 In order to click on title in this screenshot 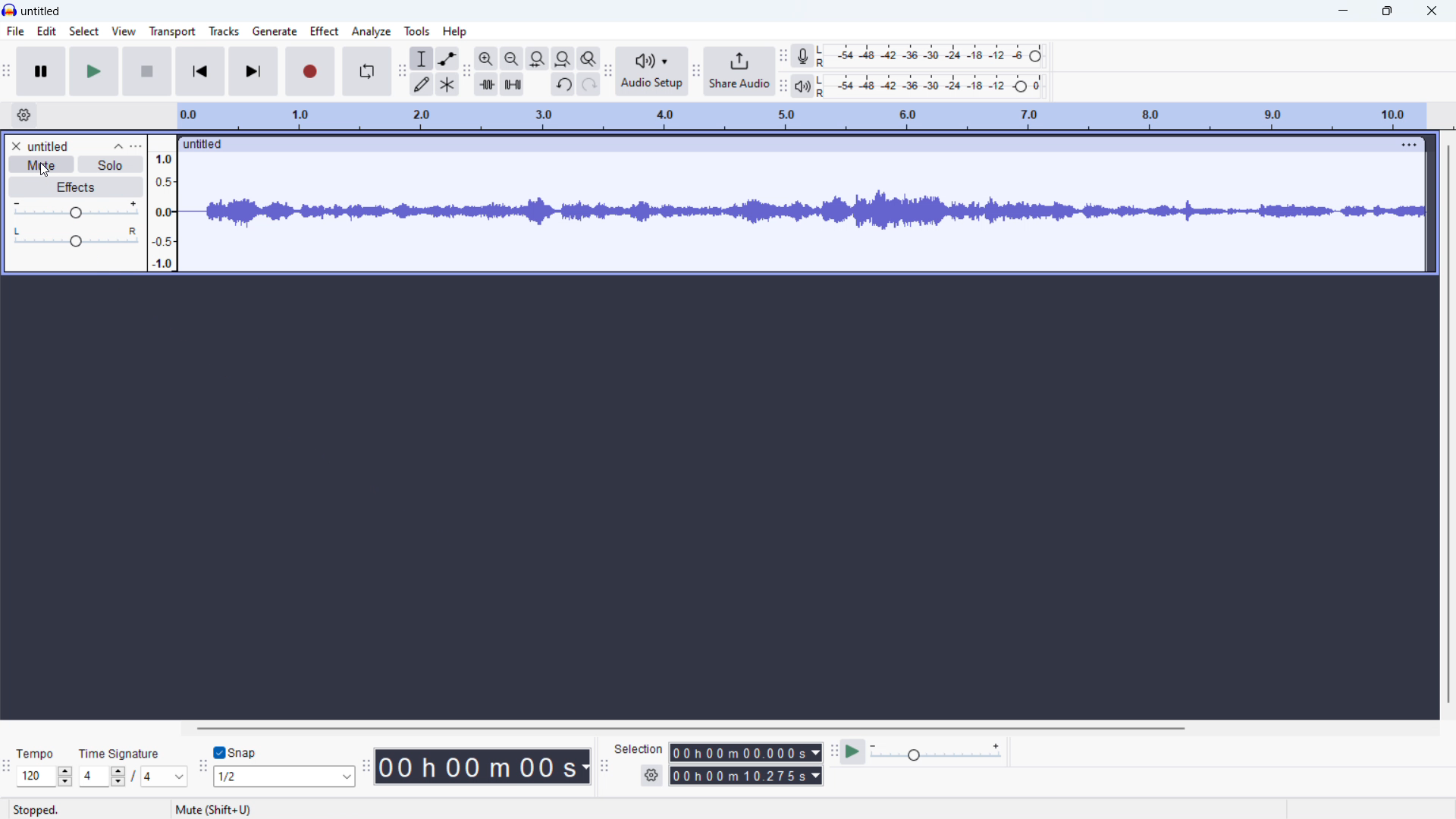, I will do `click(42, 11)`.